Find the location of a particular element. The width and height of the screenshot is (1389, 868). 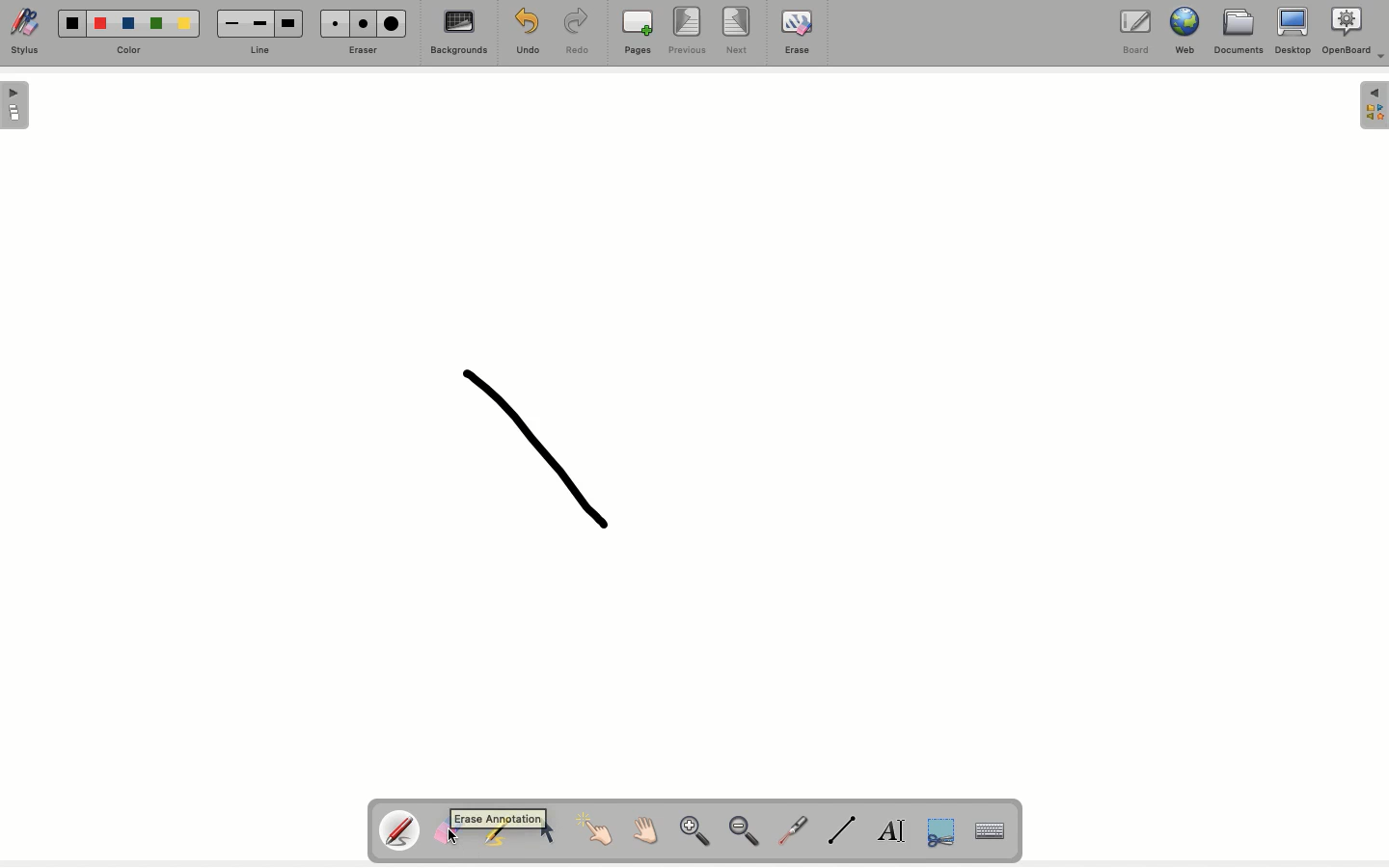

OpenBoard is located at coordinates (1355, 33).